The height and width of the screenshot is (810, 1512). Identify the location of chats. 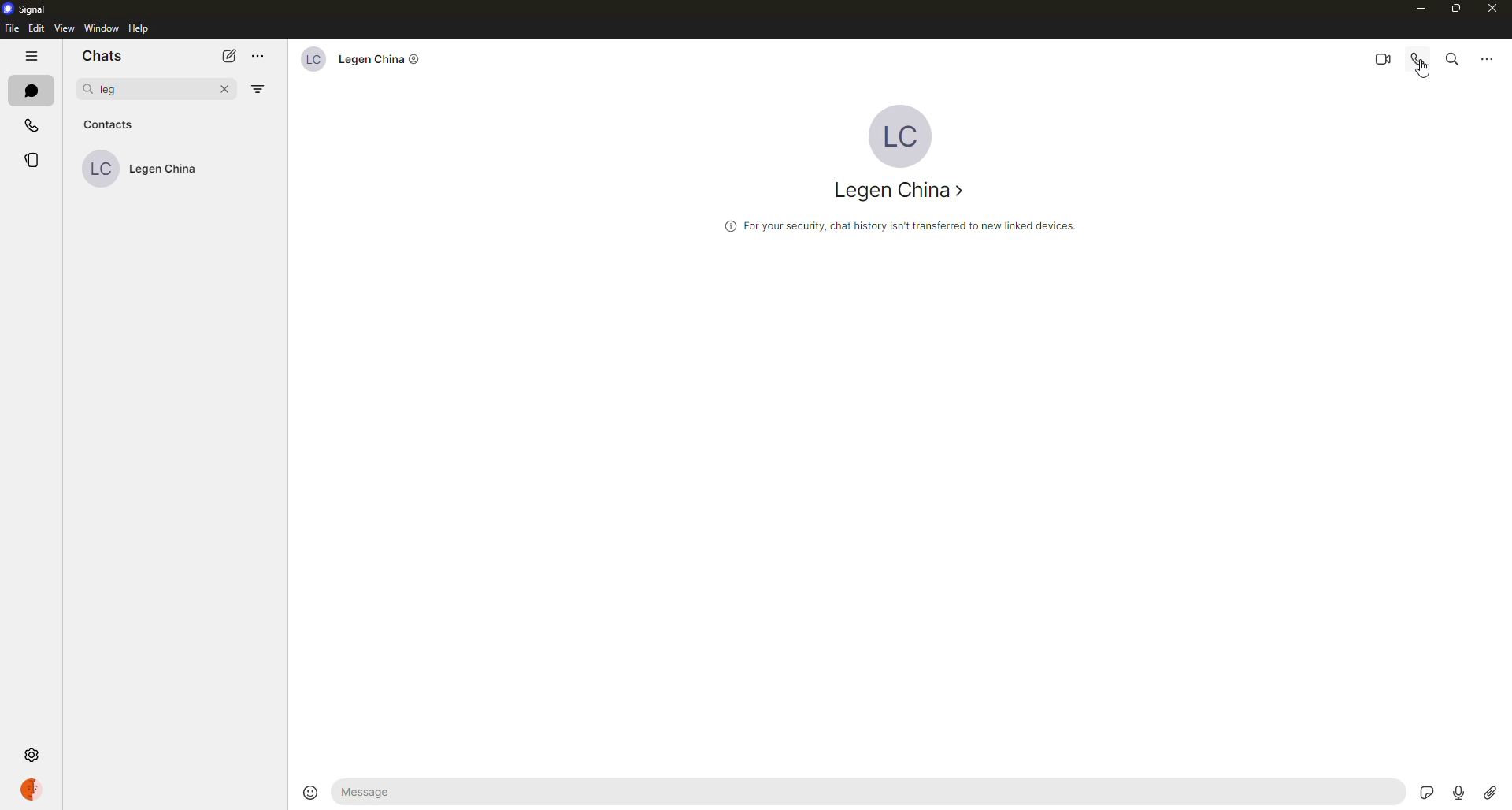
(29, 93).